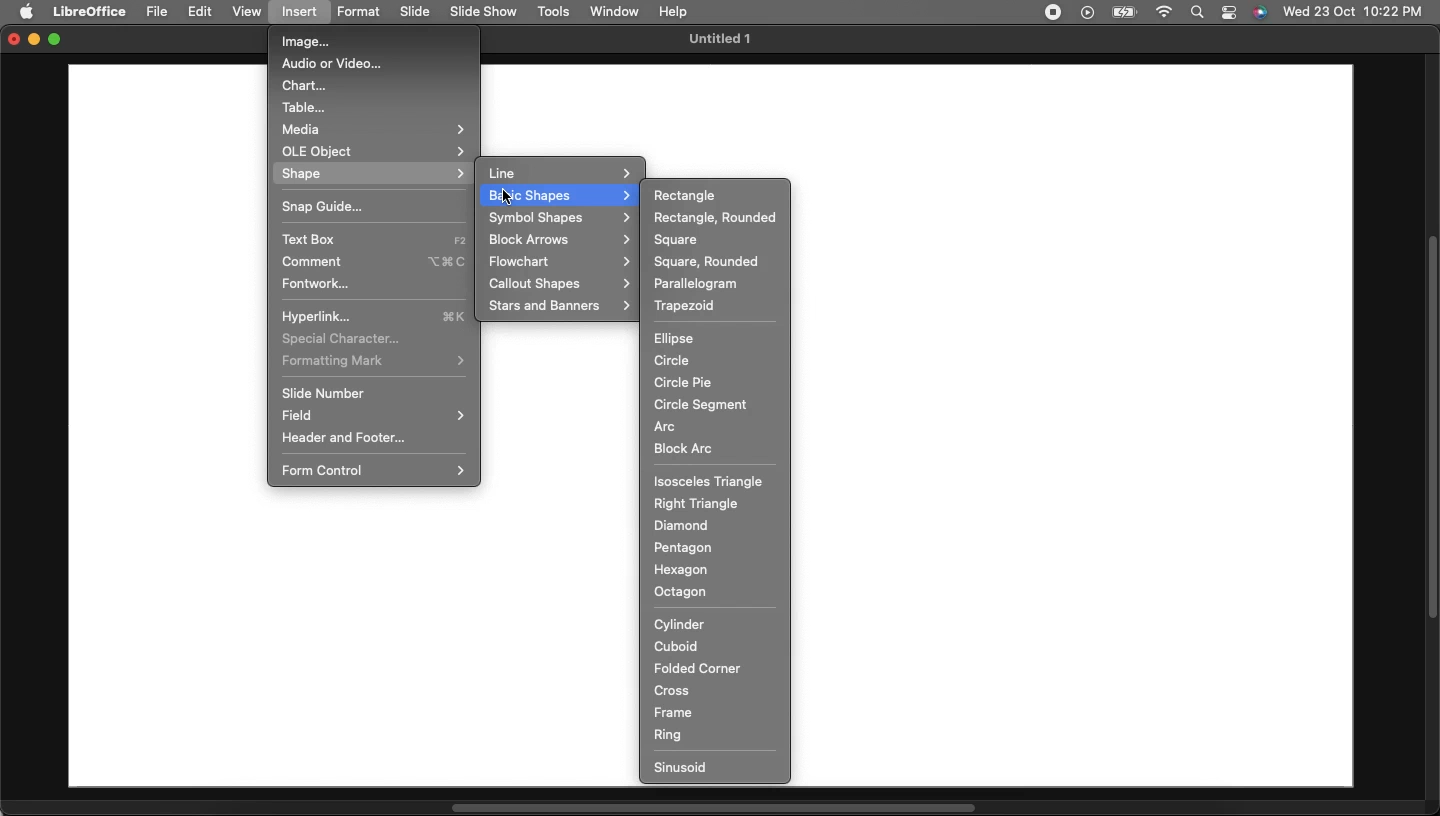  What do you see at coordinates (686, 448) in the screenshot?
I see `Block arc` at bounding box center [686, 448].